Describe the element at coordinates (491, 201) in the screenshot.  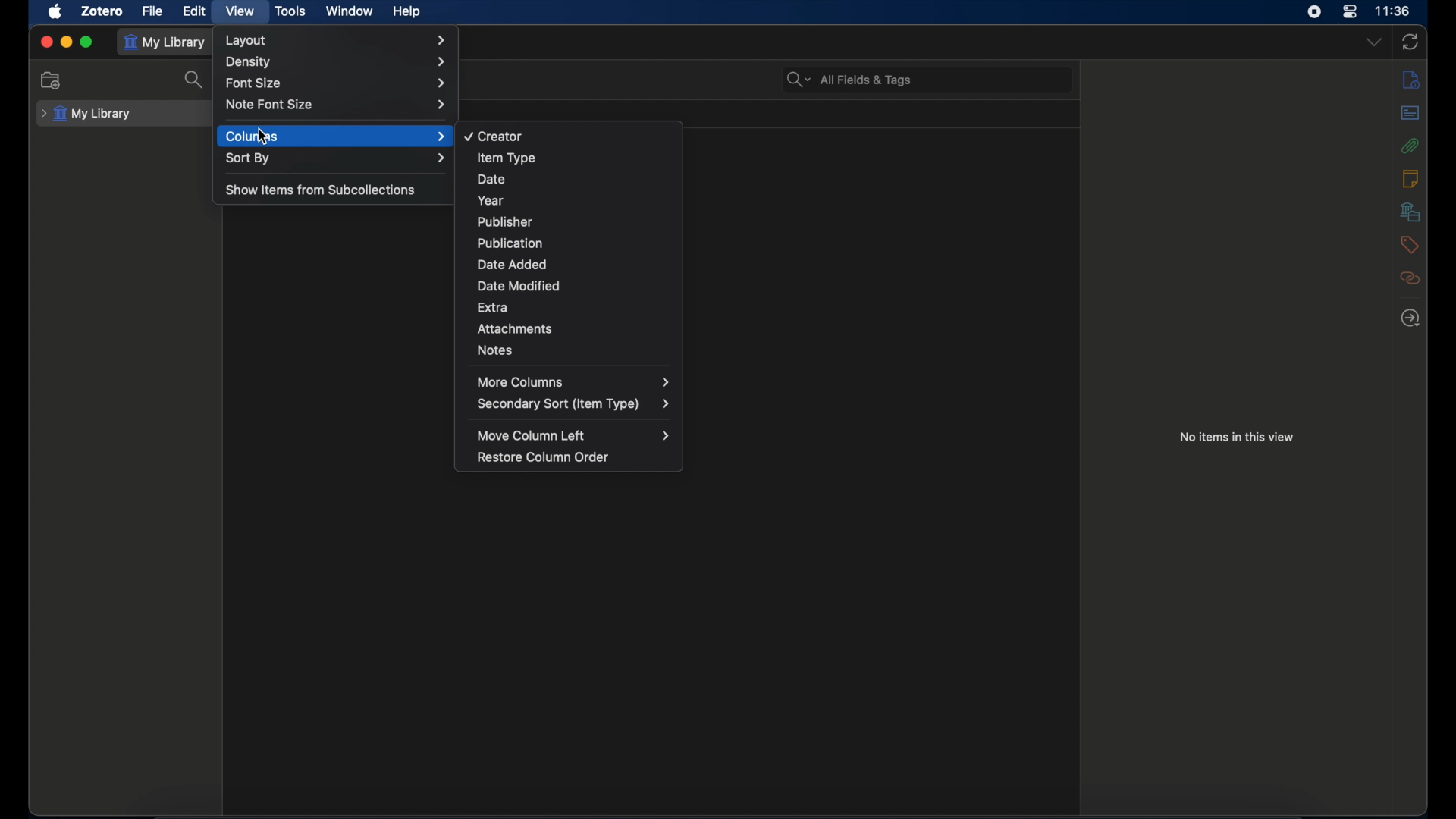
I see `year` at that location.